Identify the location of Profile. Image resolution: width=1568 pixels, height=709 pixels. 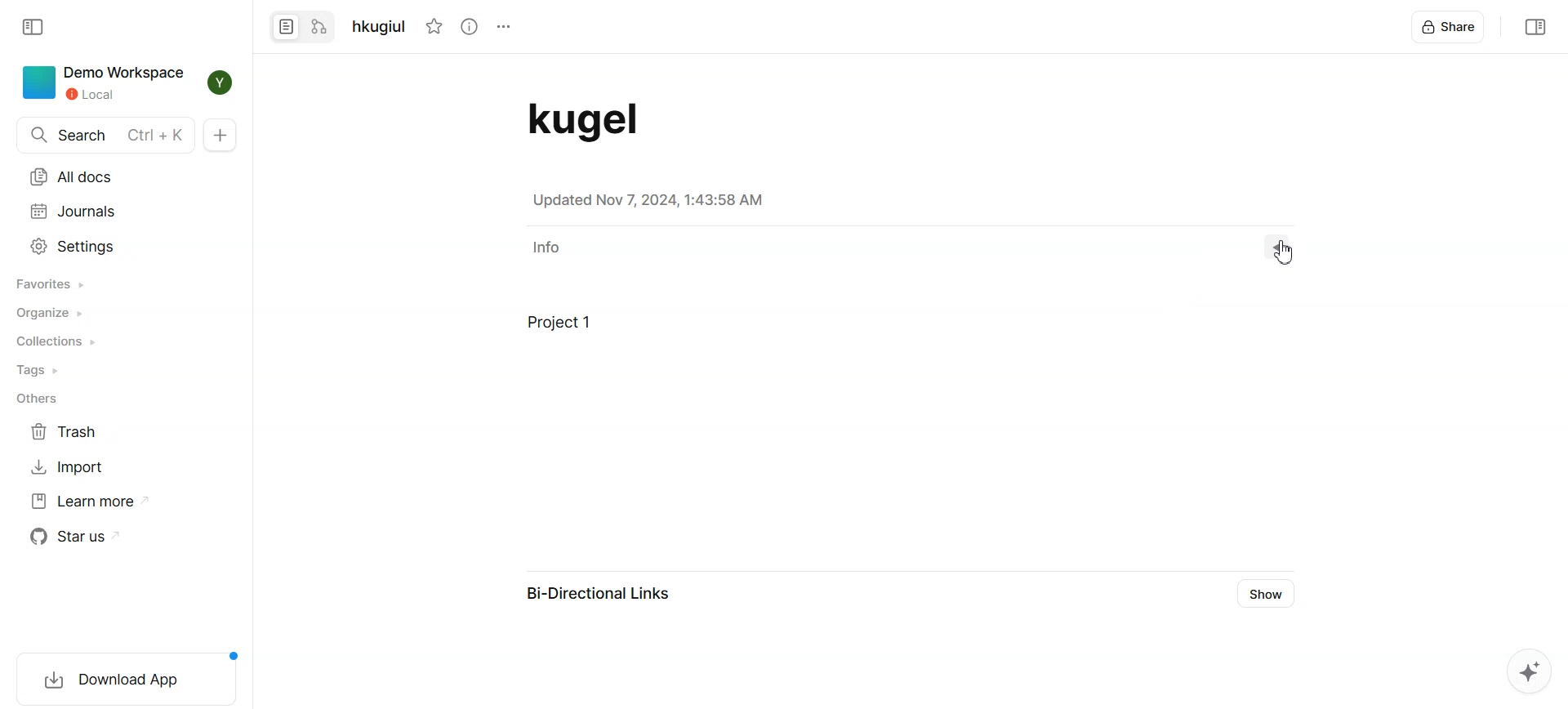
(219, 82).